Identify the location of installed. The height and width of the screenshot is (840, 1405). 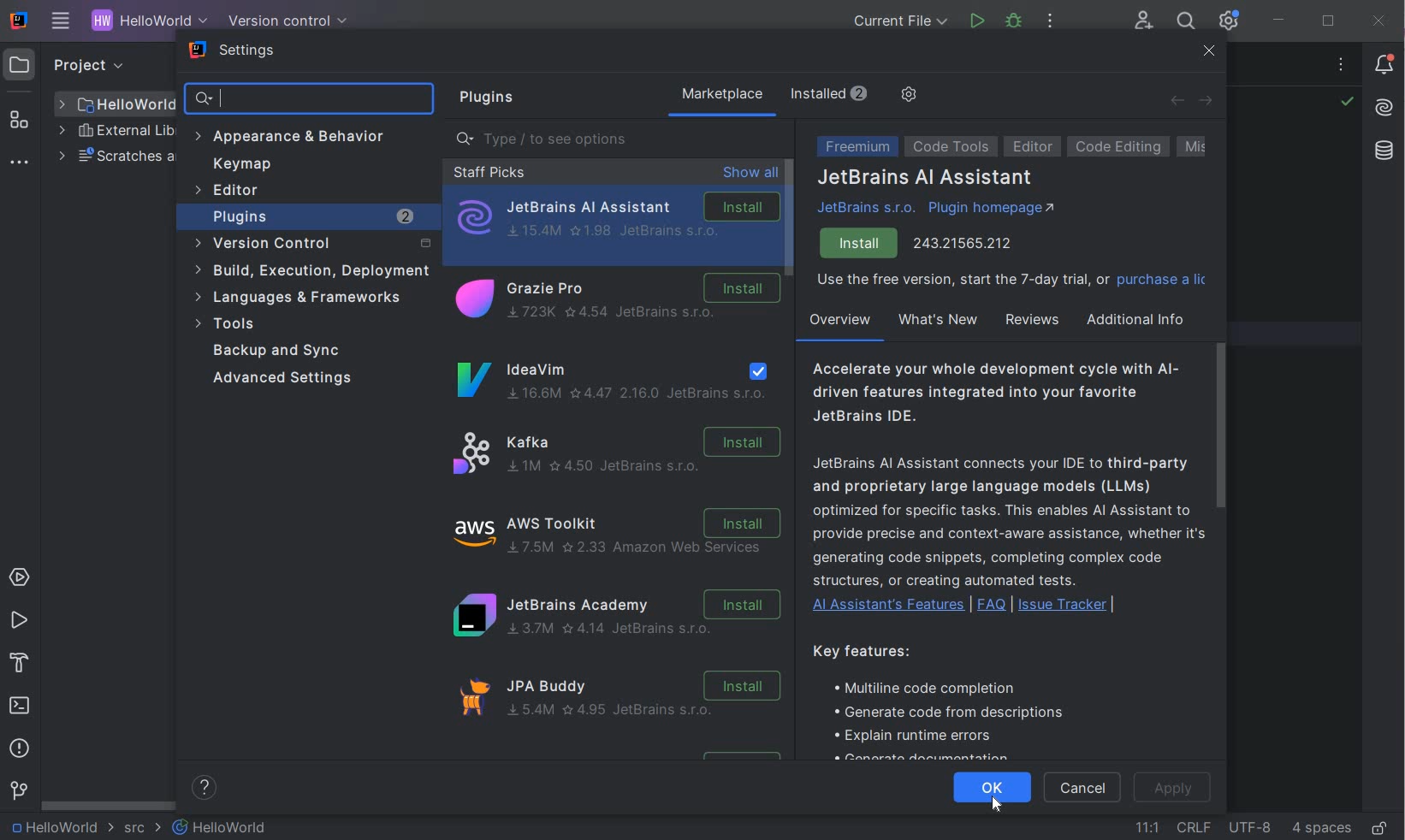
(833, 93).